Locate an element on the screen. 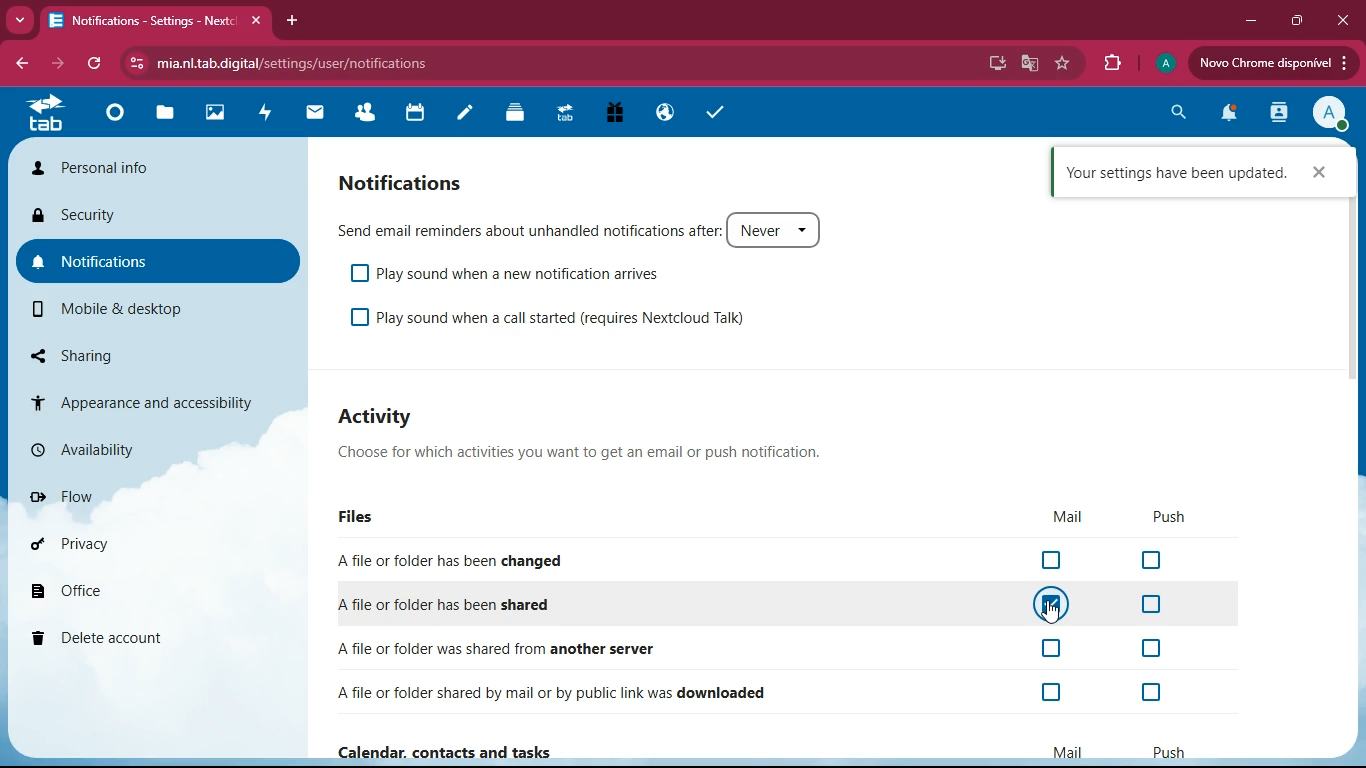 This screenshot has height=768, width=1366. off is located at coordinates (1154, 693).